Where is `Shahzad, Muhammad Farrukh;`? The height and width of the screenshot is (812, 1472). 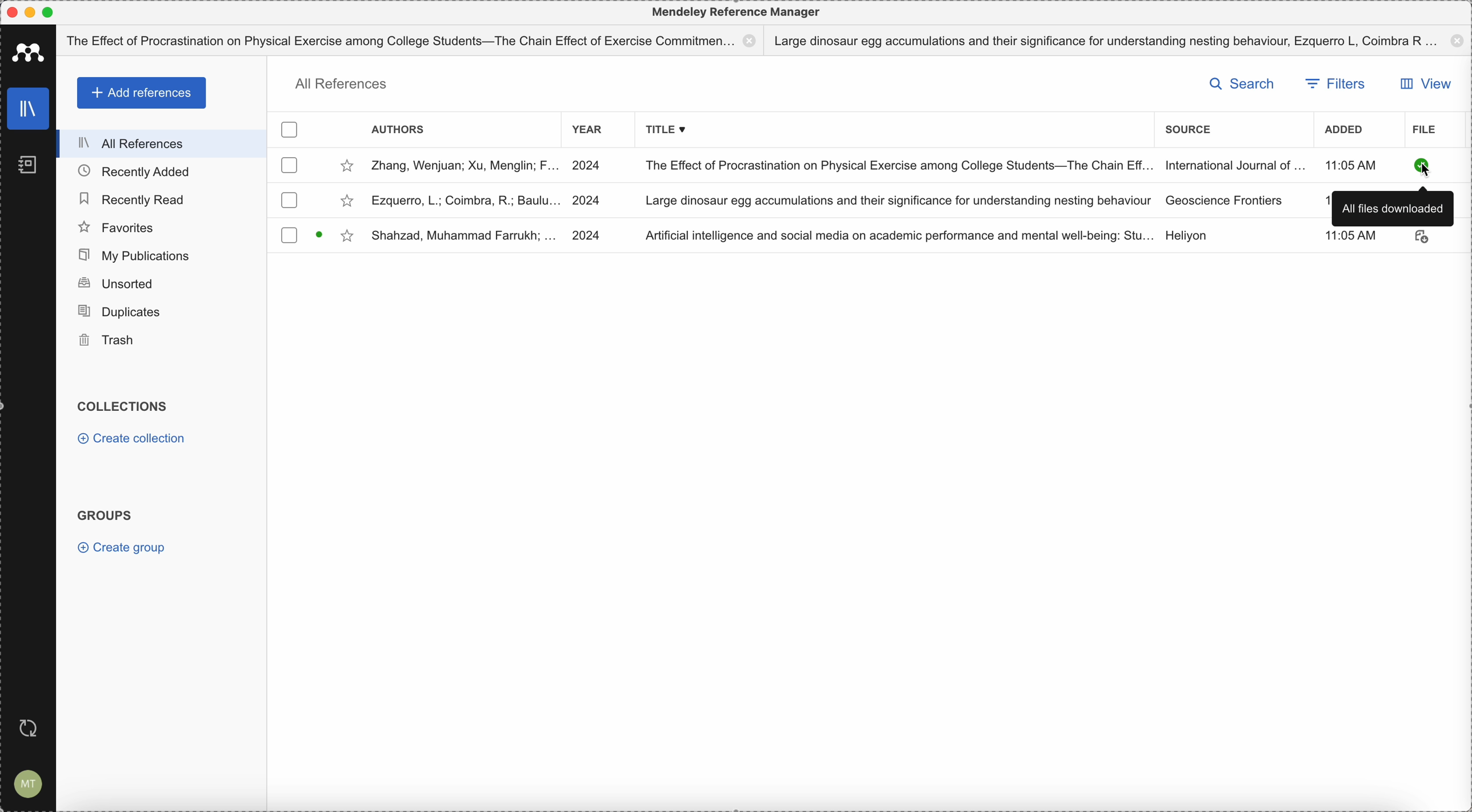 Shahzad, Muhammad Farrukh; is located at coordinates (465, 235).